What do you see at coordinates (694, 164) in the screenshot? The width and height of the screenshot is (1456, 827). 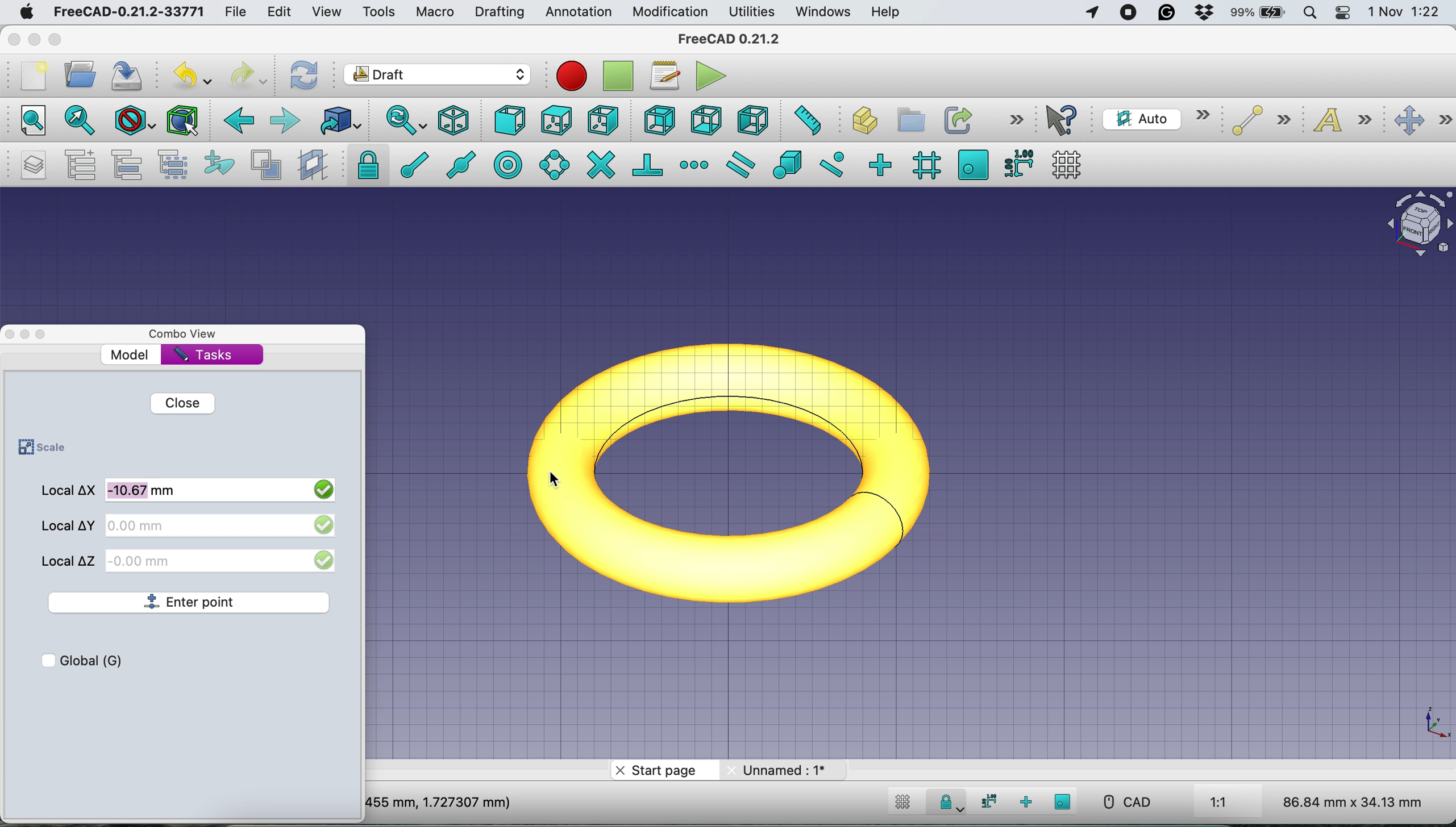 I see `snap extension` at bounding box center [694, 164].